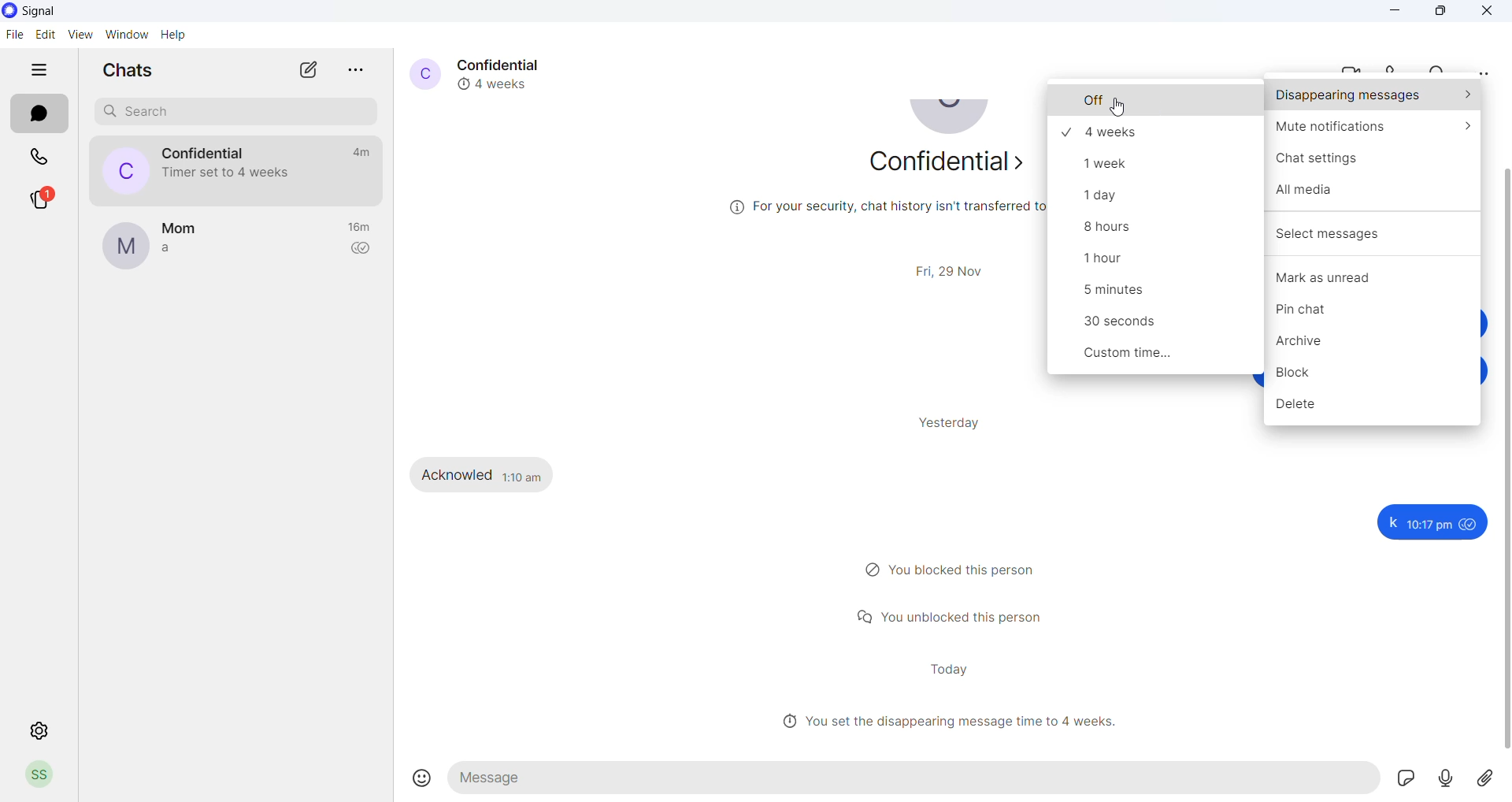  What do you see at coordinates (202, 153) in the screenshot?
I see `contact name` at bounding box center [202, 153].